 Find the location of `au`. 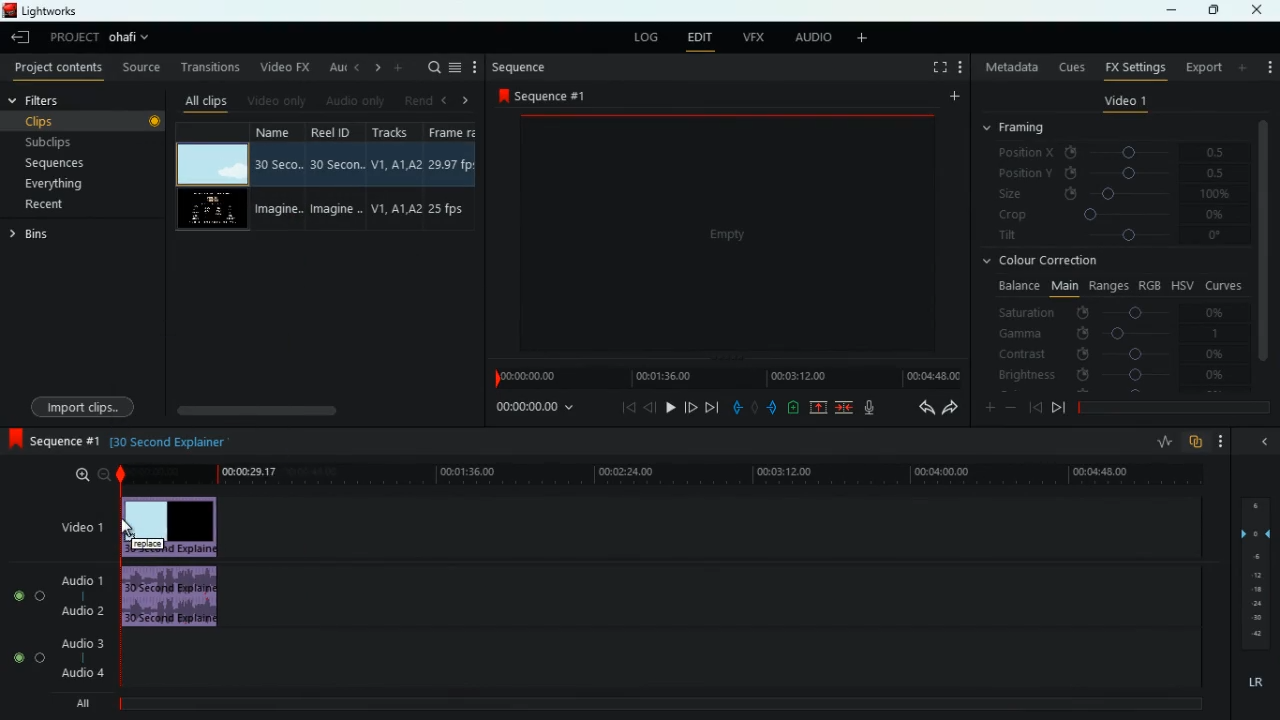

au is located at coordinates (331, 67).